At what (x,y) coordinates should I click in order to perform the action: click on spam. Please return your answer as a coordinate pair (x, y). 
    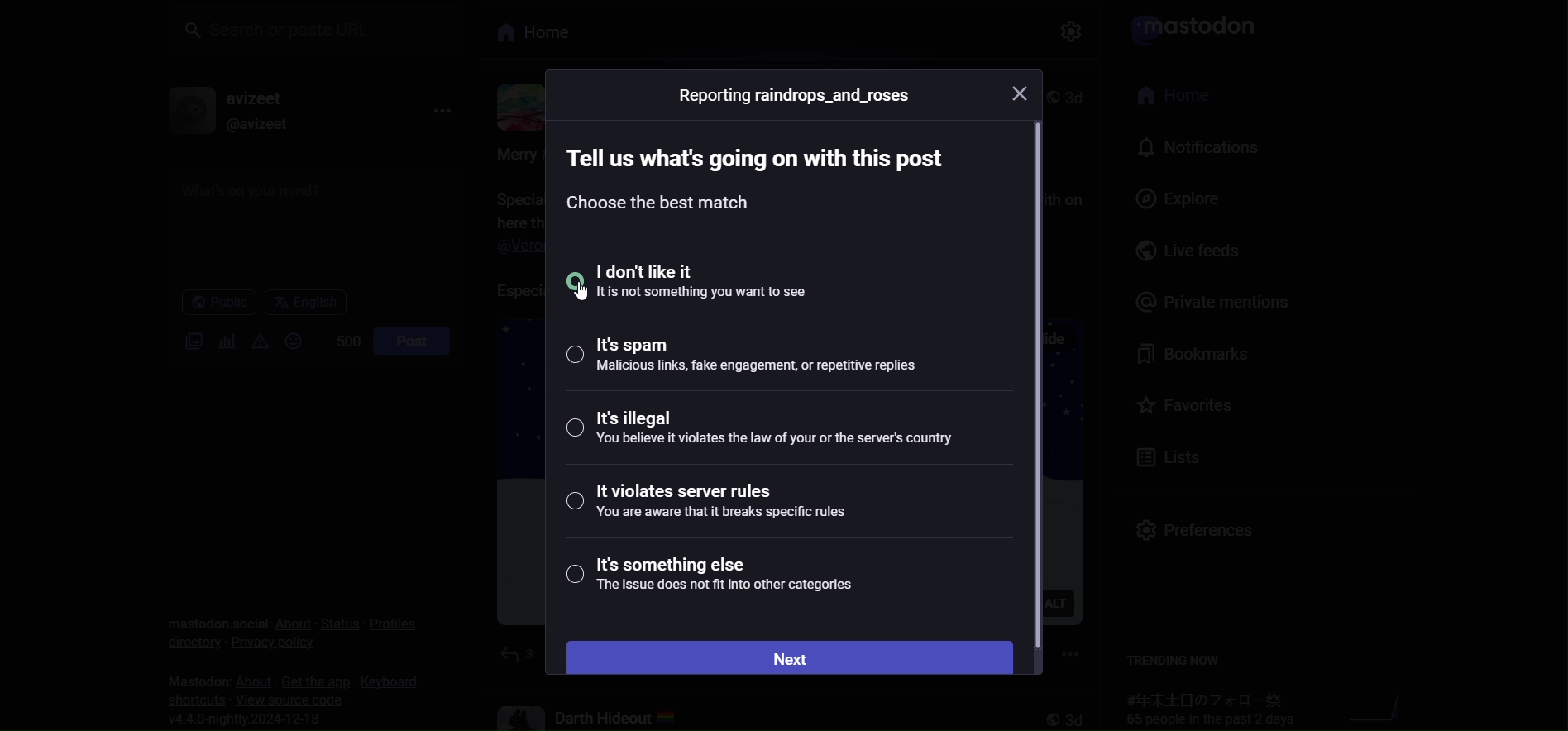
    Looking at the image, I should click on (763, 358).